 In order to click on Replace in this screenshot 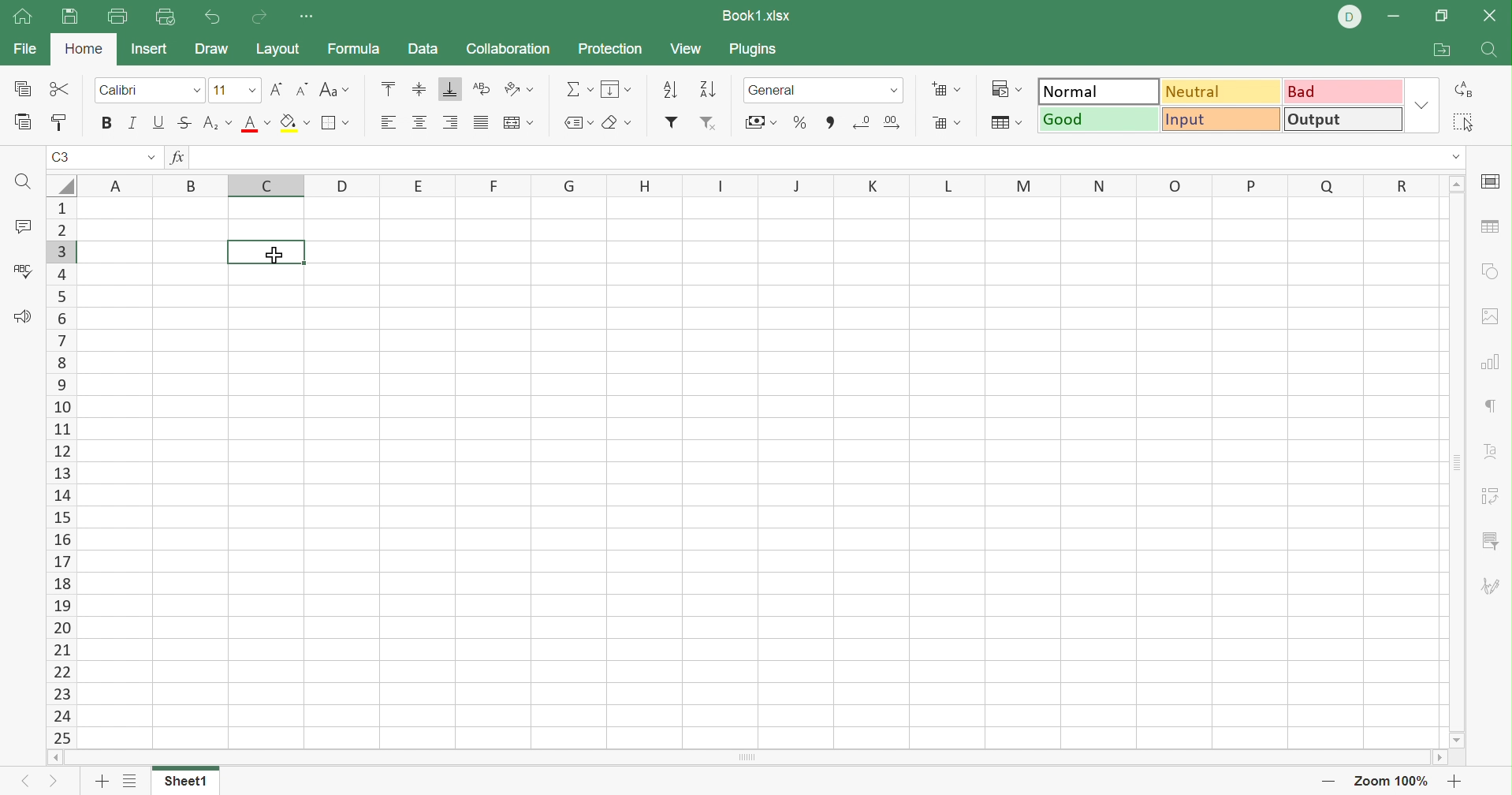, I will do `click(1461, 88)`.